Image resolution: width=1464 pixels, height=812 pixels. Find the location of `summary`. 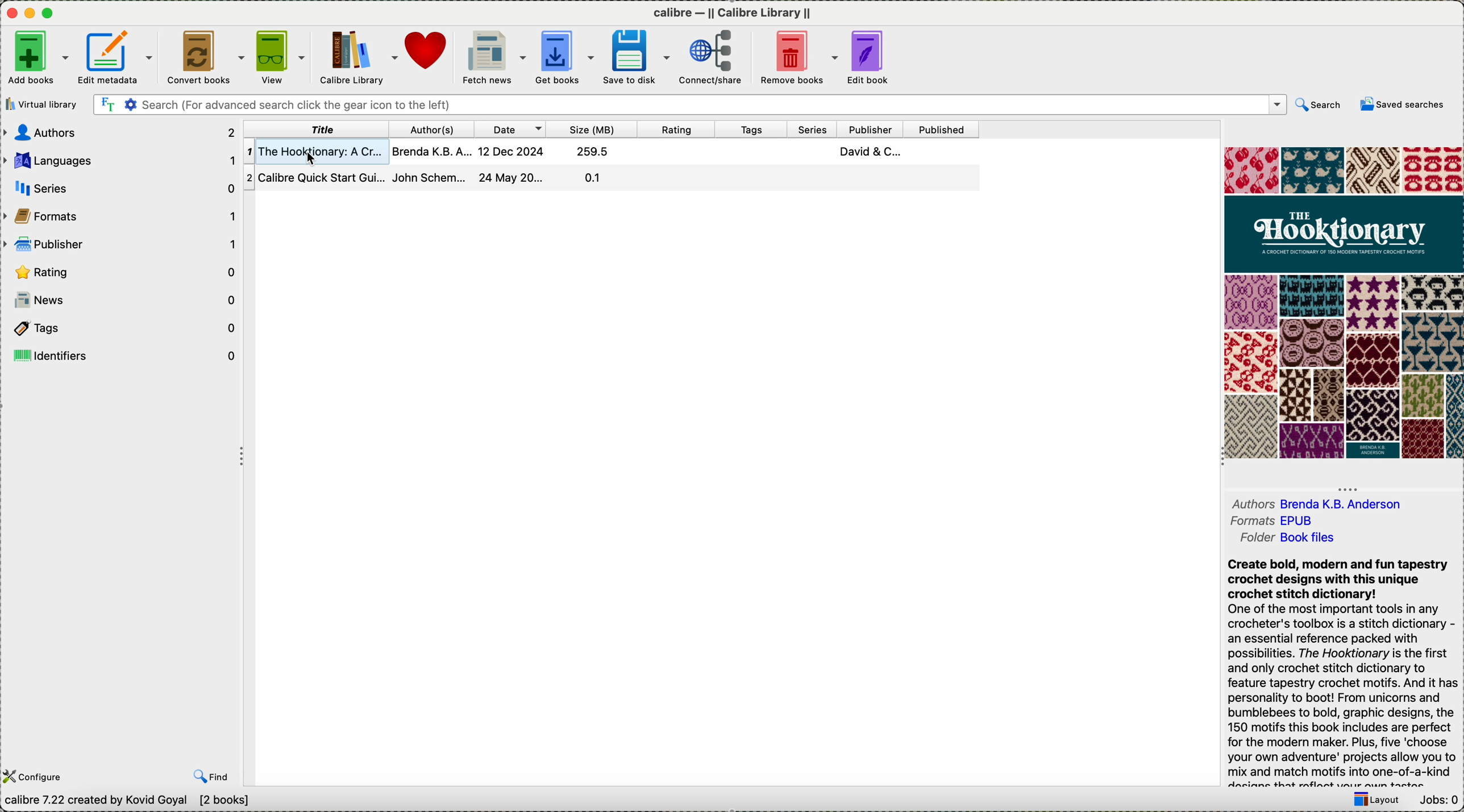

summary is located at coordinates (1345, 672).